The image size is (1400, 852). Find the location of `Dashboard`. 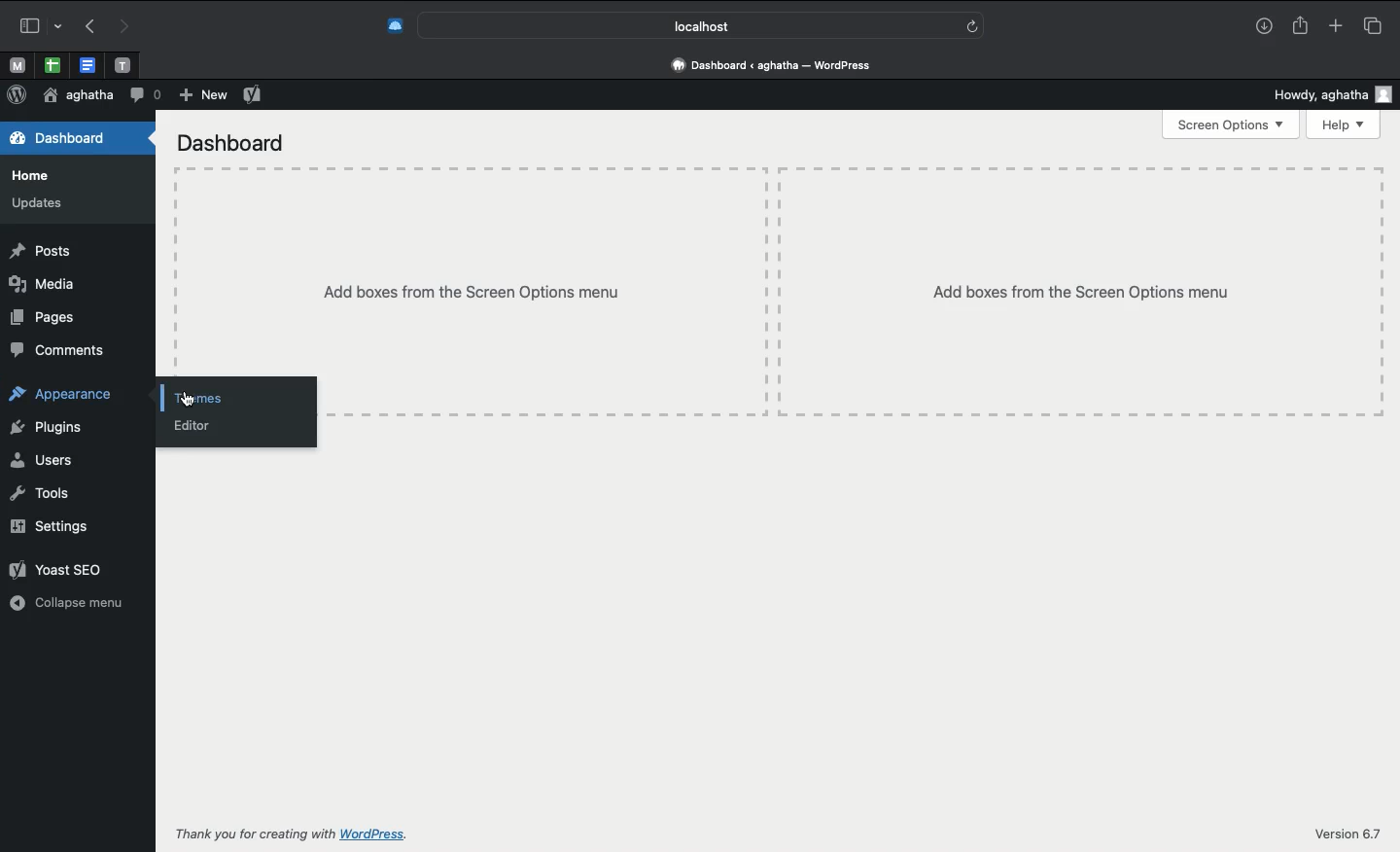

Dashboard is located at coordinates (230, 147).